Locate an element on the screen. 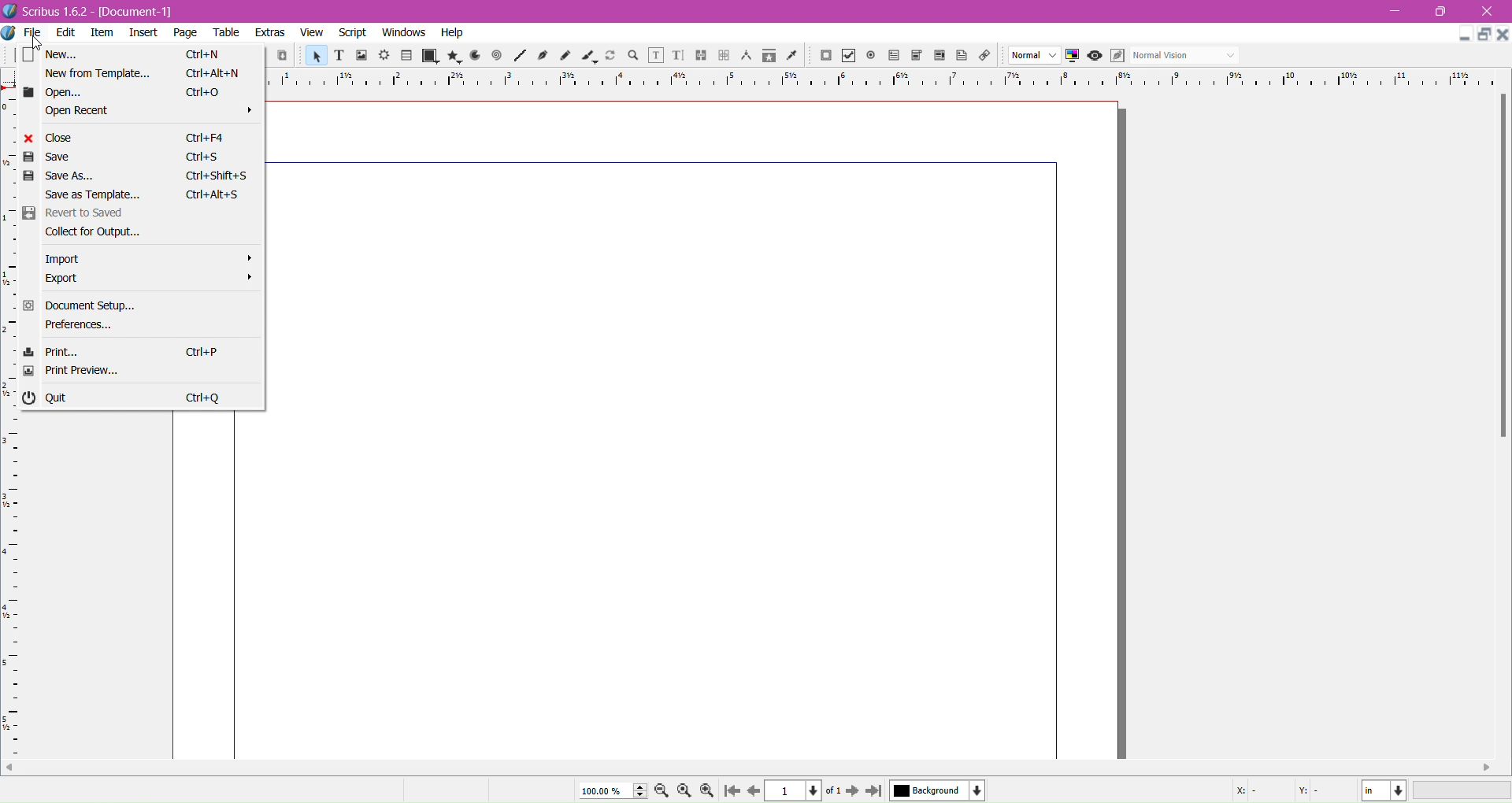 The width and height of the screenshot is (1512, 803). File is located at coordinates (34, 35).